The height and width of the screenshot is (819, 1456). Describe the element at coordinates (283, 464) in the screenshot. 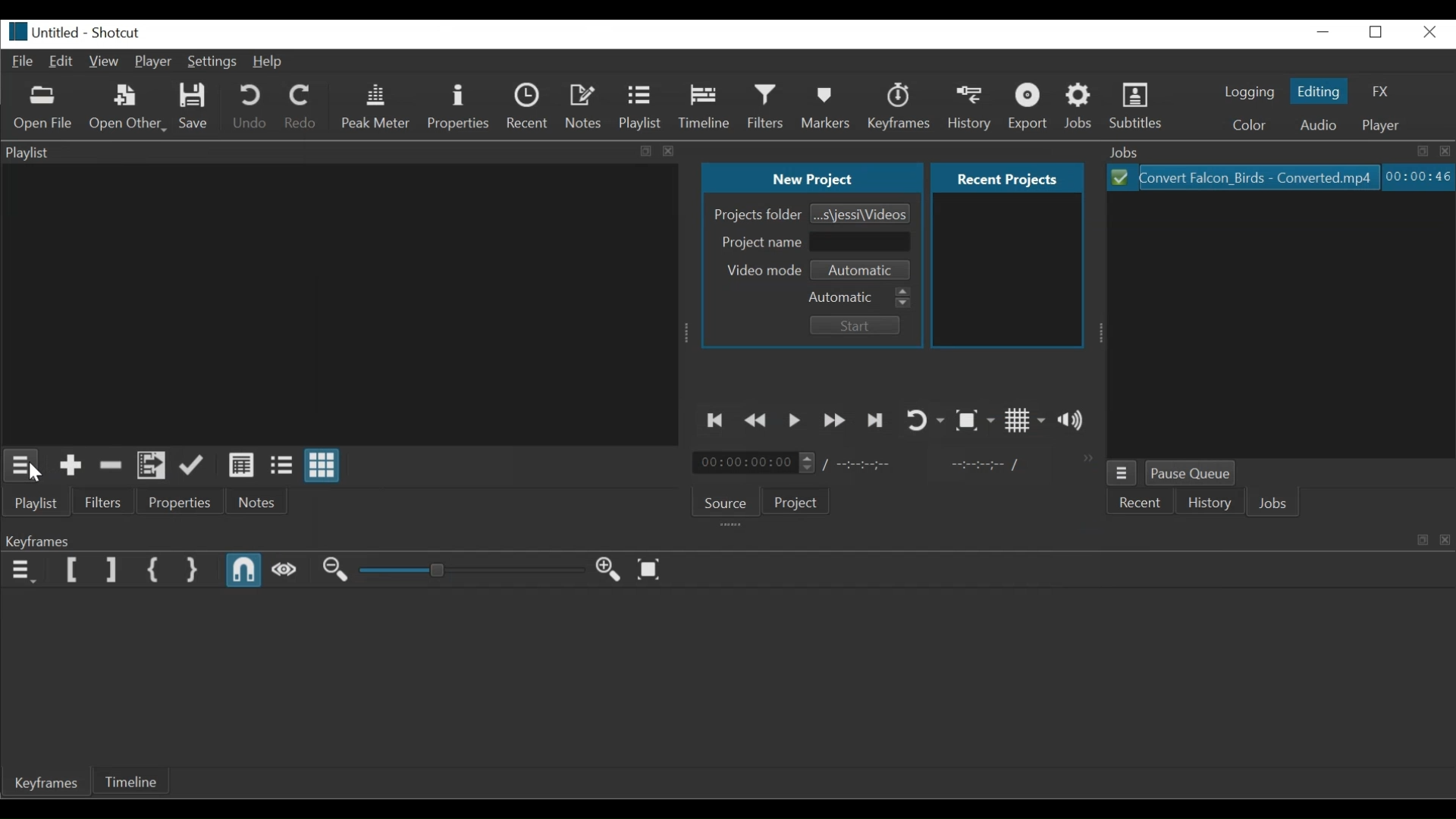

I see `View as files` at that location.